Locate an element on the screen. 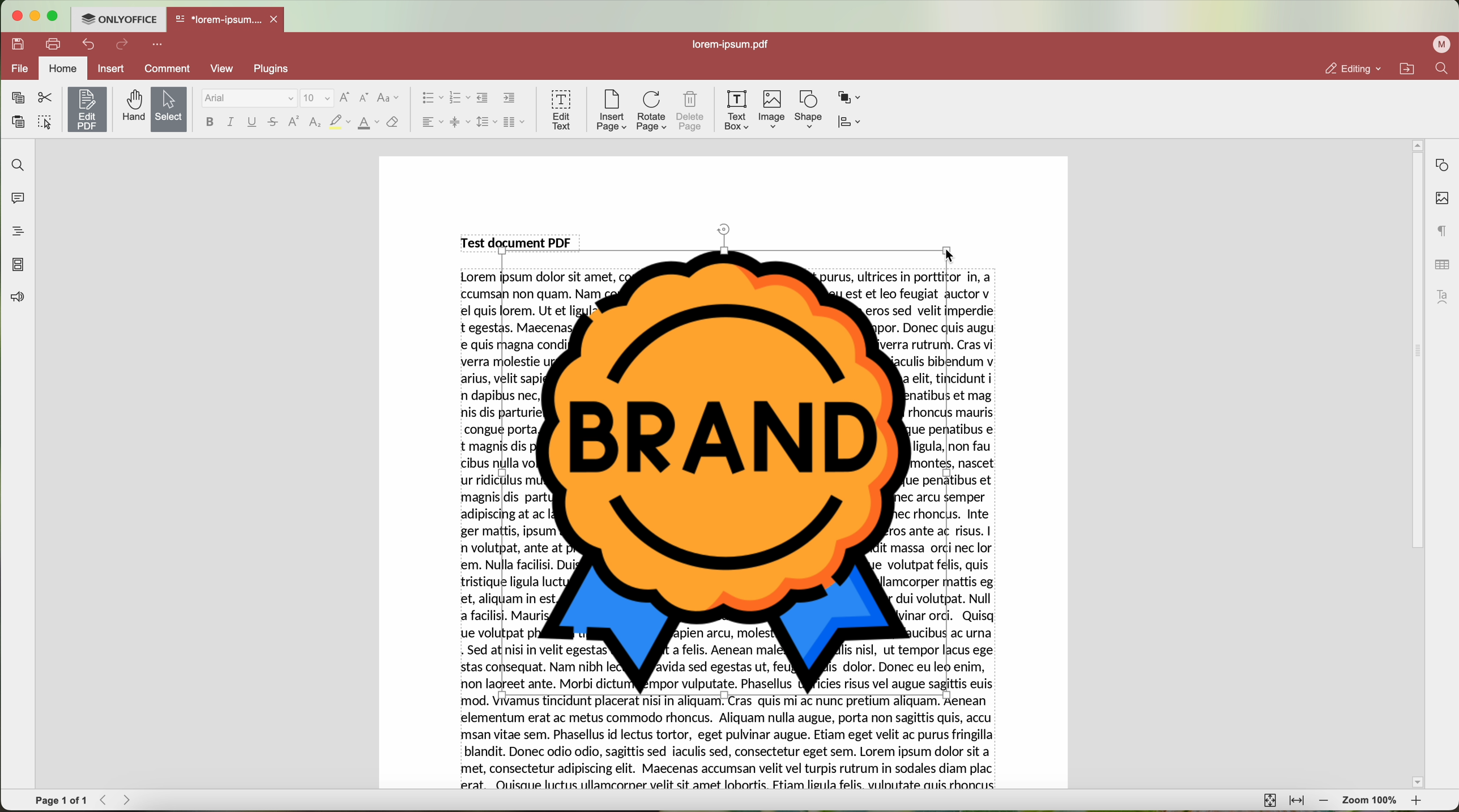  fit to width is located at coordinates (1296, 801).